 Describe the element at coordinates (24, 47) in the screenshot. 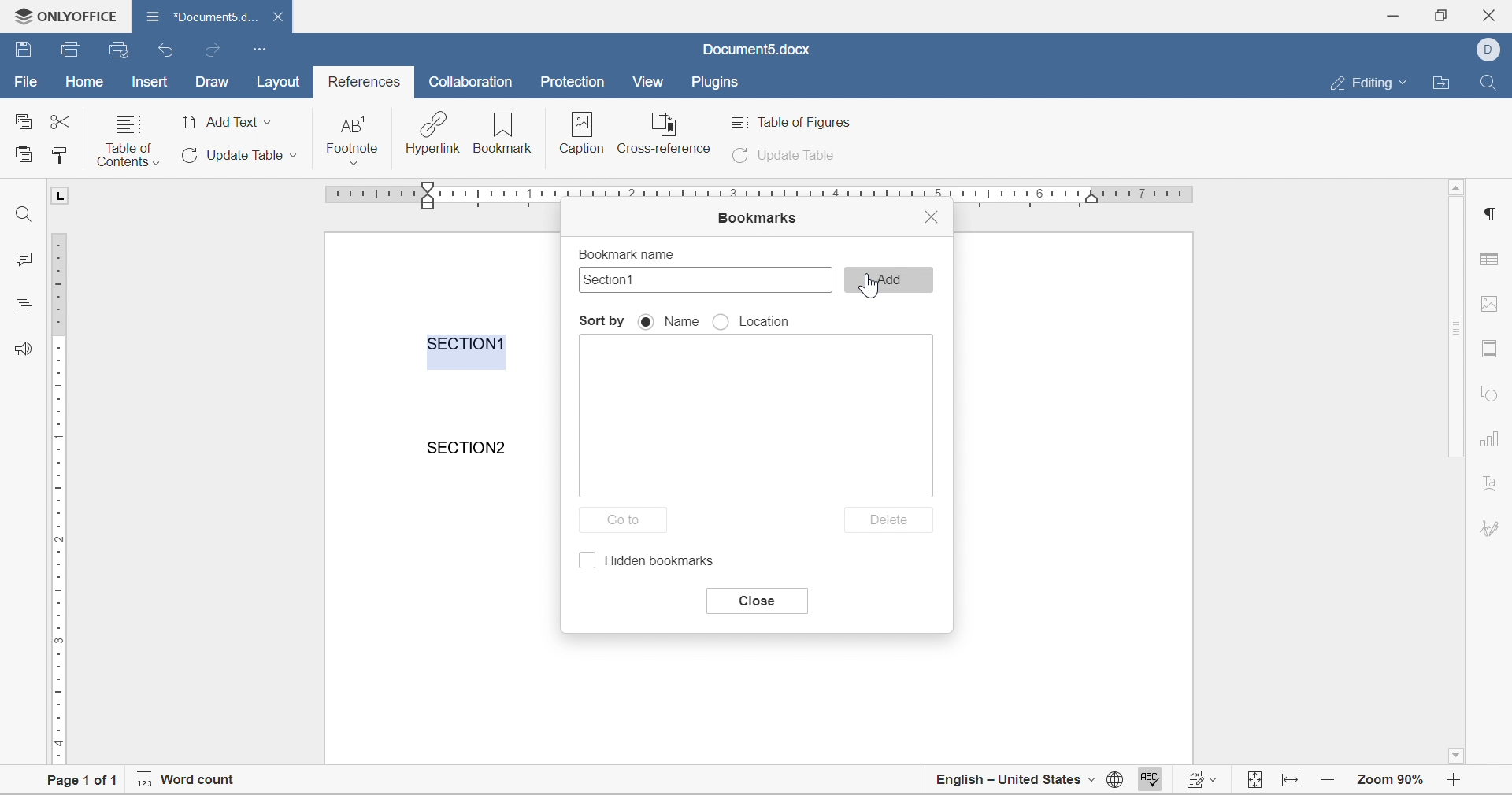

I see `save` at that location.